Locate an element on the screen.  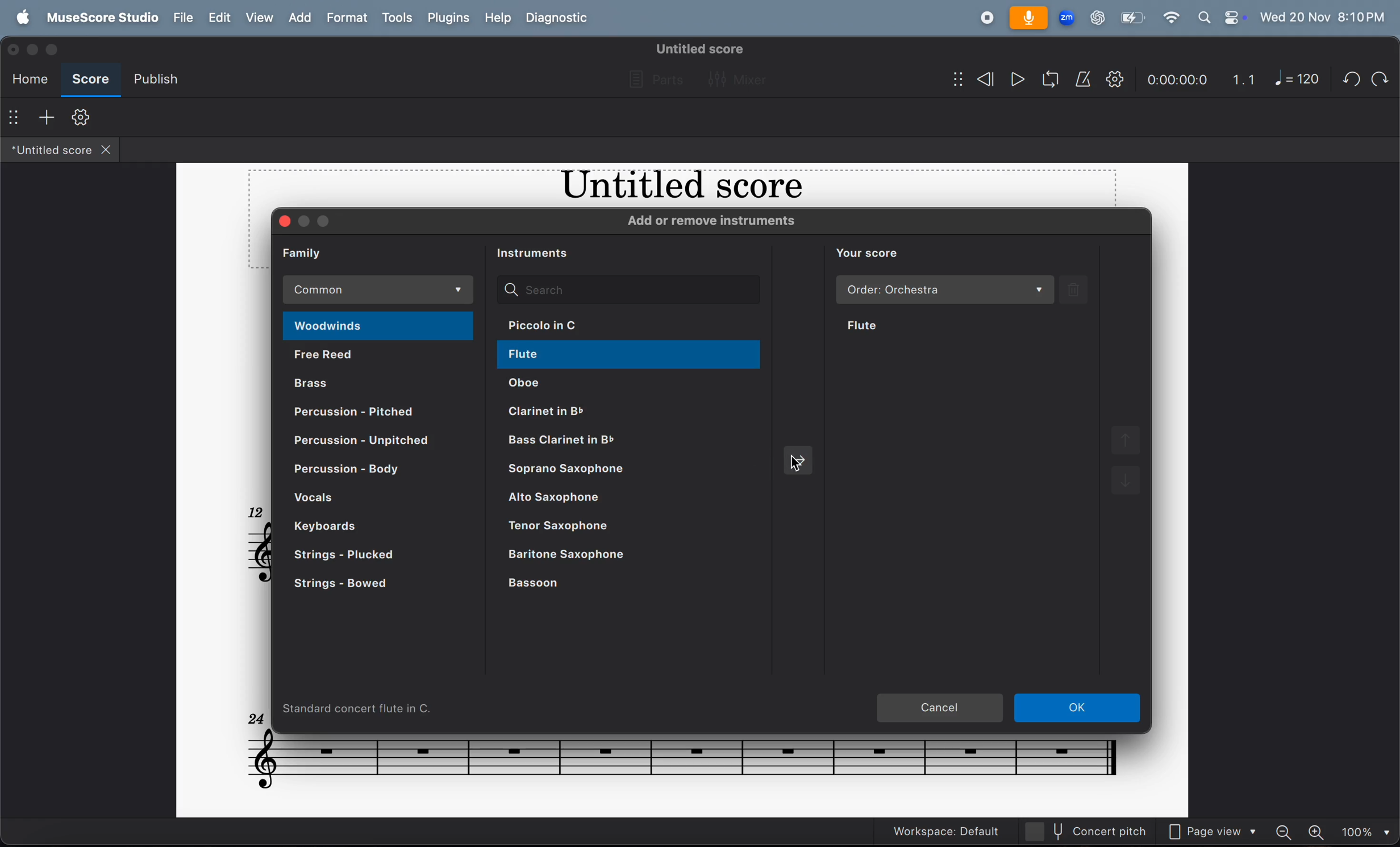
search is located at coordinates (628, 288).